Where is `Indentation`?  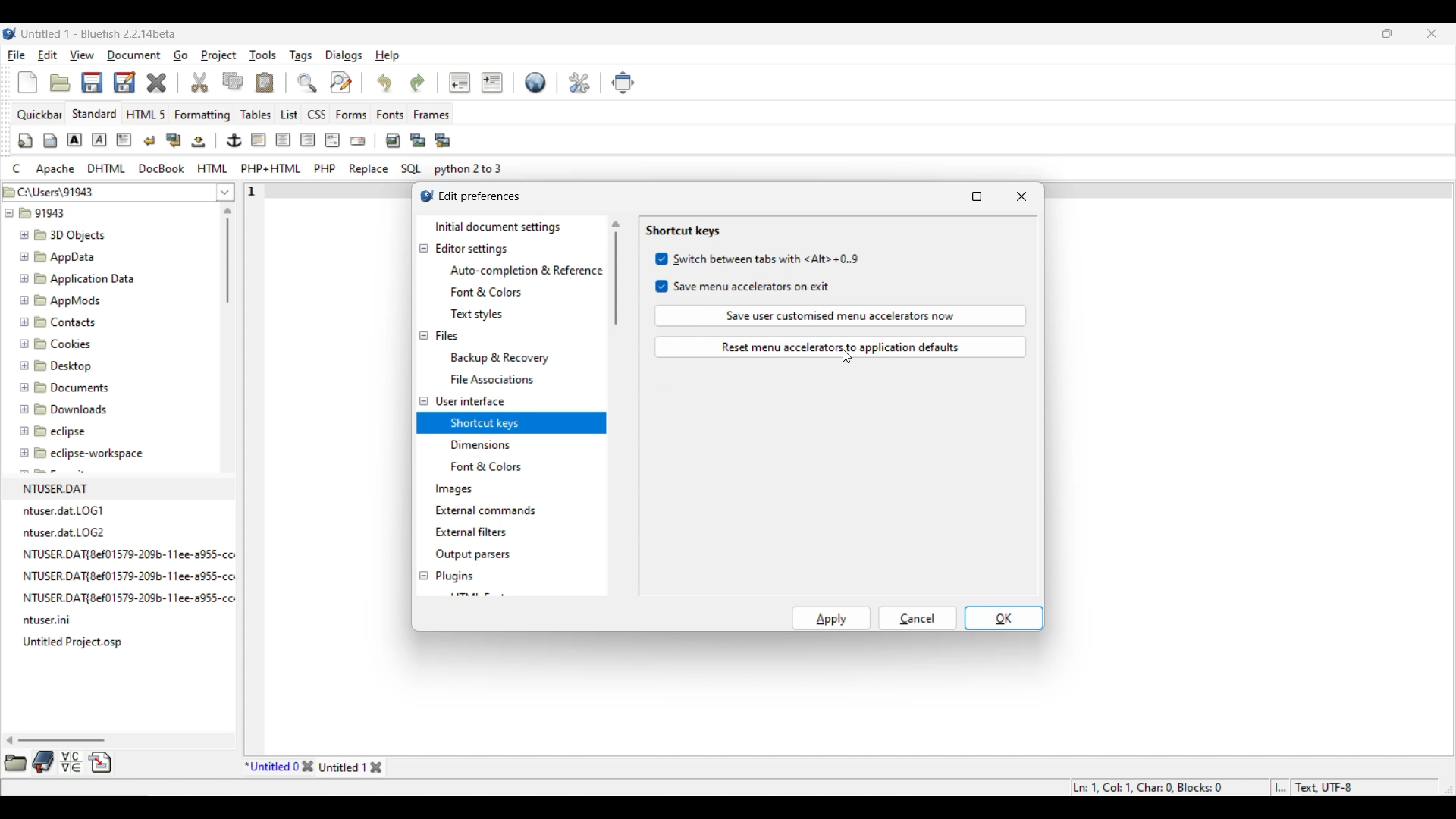 Indentation is located at coordinates (475, 82).